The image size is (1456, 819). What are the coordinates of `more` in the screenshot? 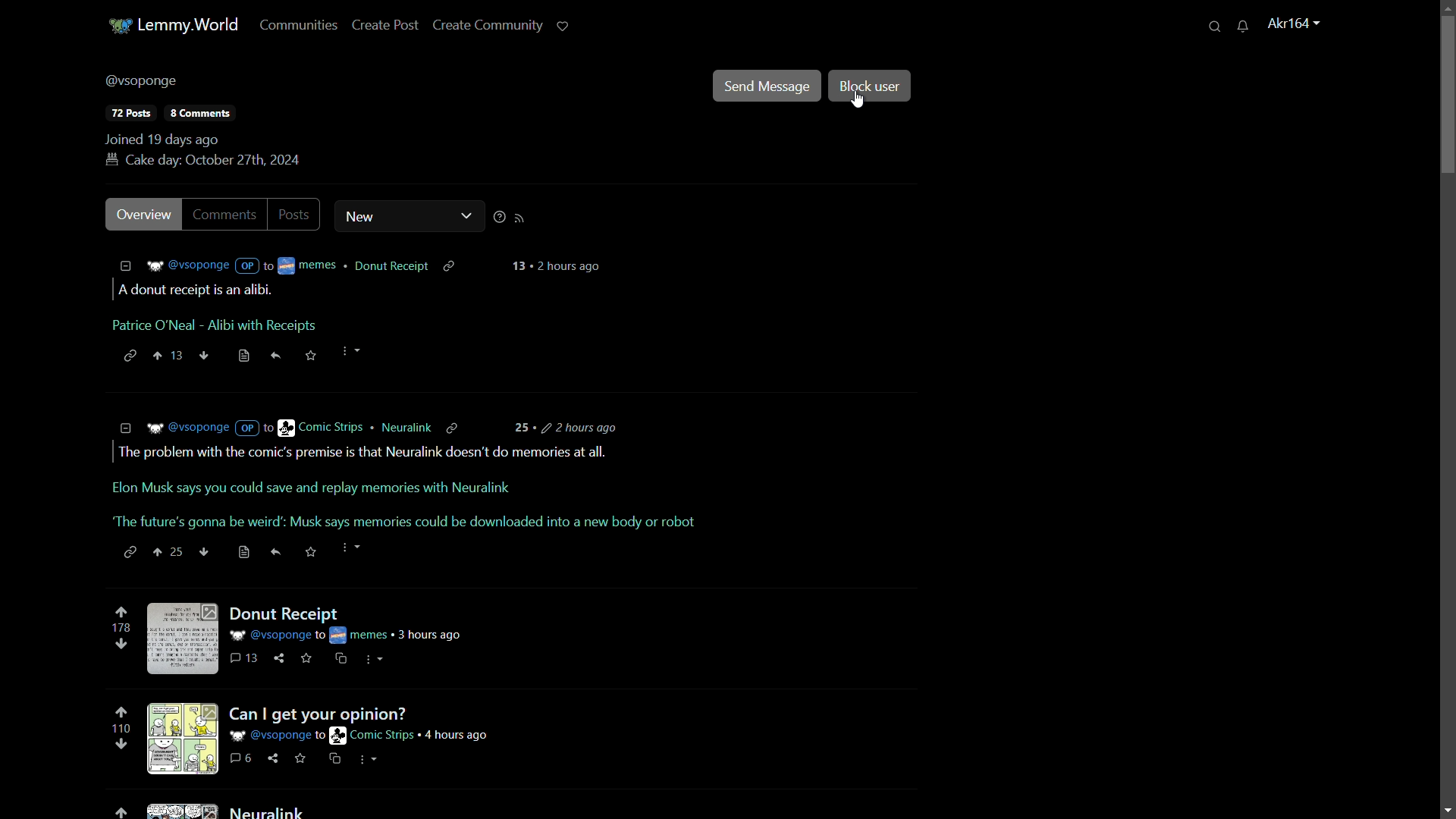 It's located at (352, 550).